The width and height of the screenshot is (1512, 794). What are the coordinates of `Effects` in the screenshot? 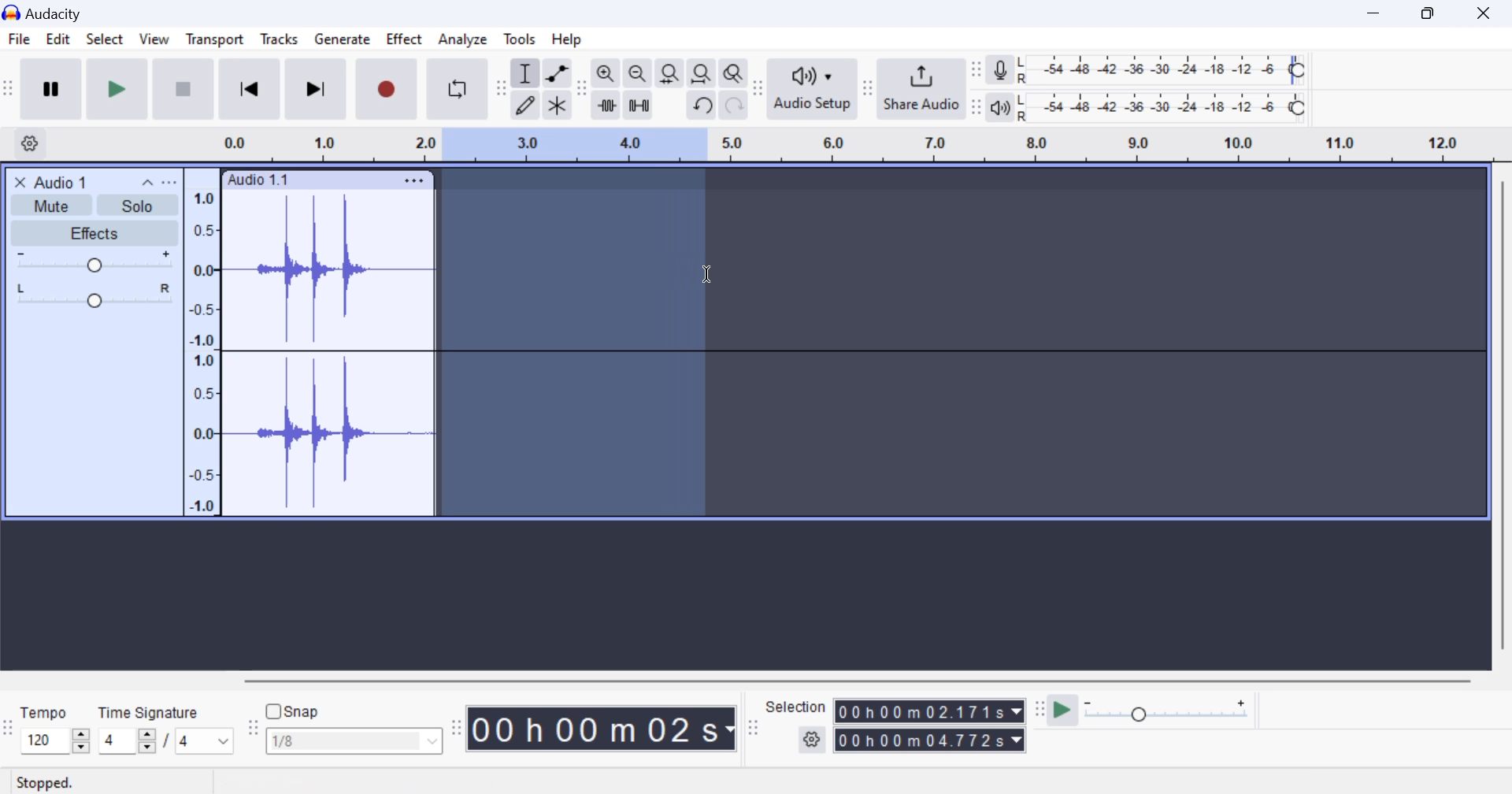 It's located at (93, 233).